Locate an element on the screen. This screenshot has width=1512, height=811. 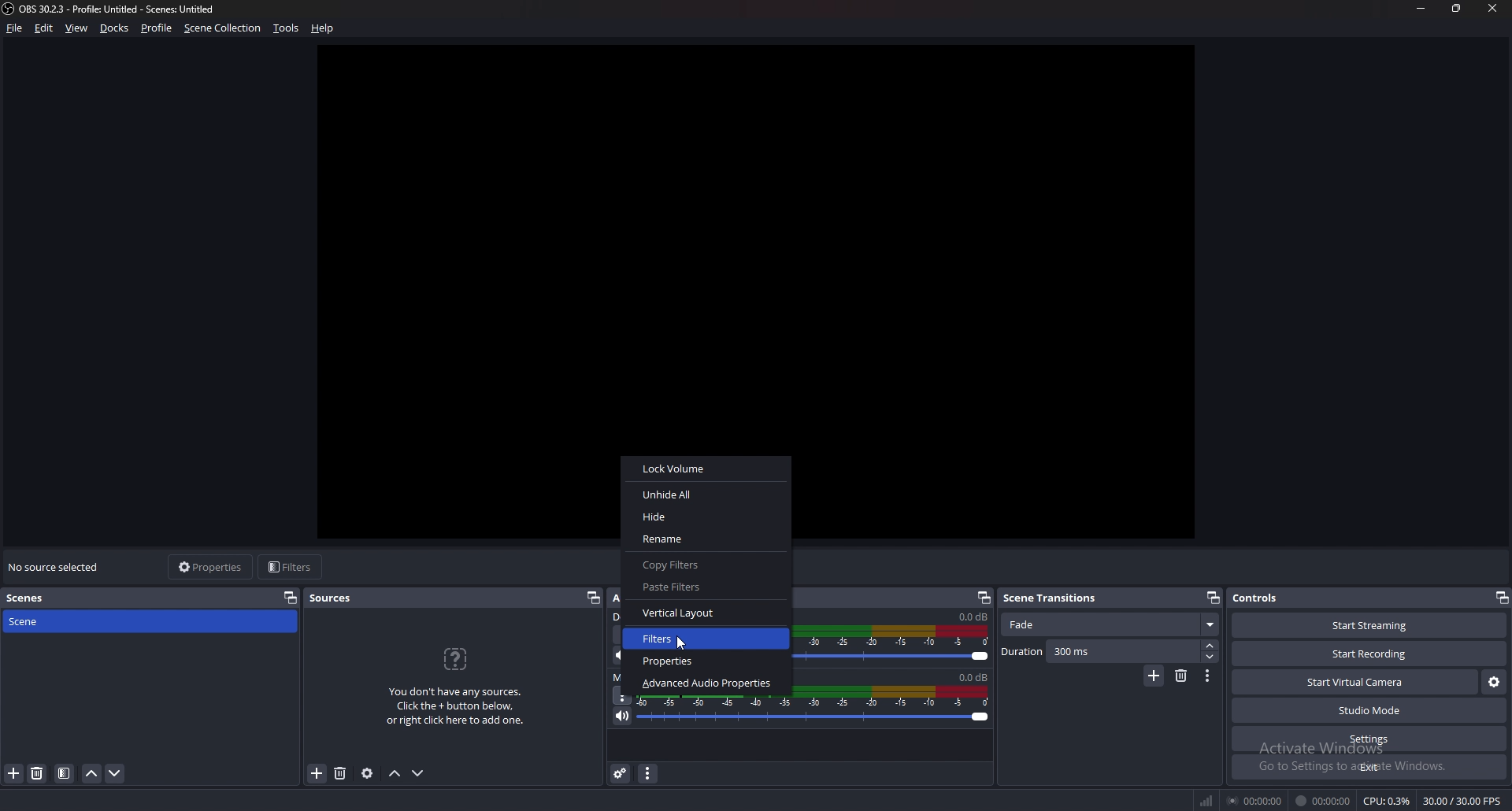
CPU: 0.3% is located at coordinates (1388, 802).